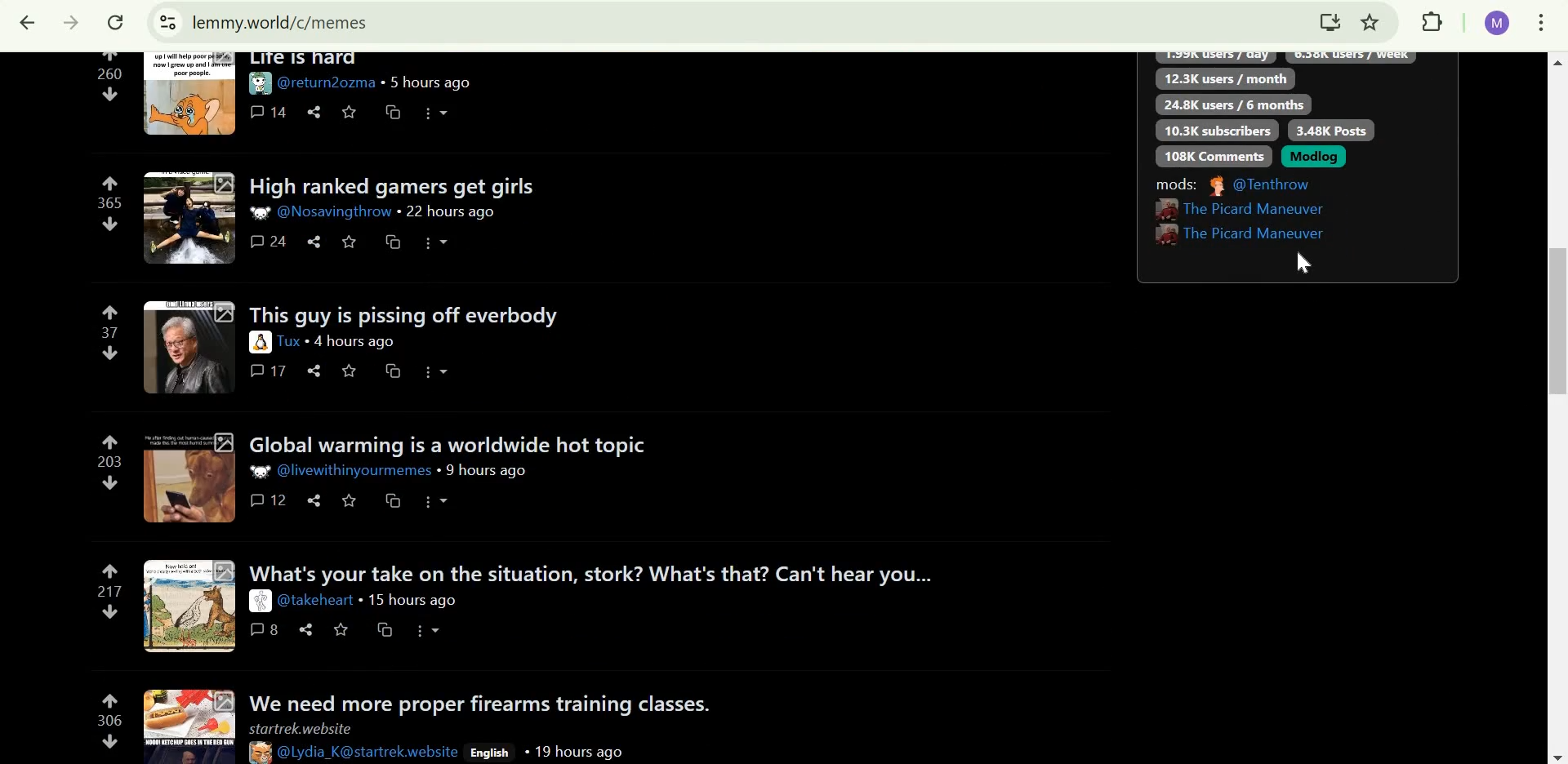  I want to click on 365 points, so click(109, 202).